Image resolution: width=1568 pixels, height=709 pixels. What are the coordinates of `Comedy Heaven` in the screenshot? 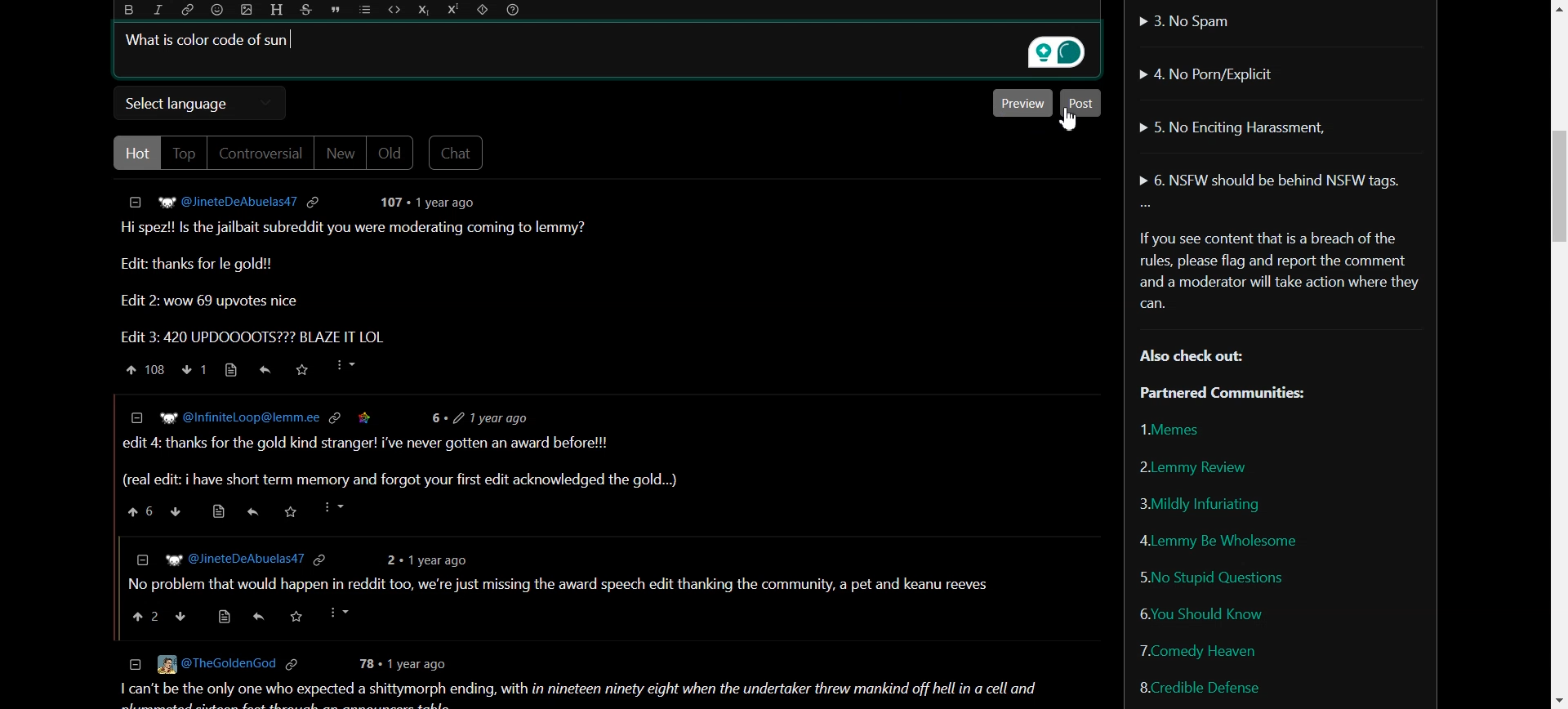 It's located at (1199, 649).